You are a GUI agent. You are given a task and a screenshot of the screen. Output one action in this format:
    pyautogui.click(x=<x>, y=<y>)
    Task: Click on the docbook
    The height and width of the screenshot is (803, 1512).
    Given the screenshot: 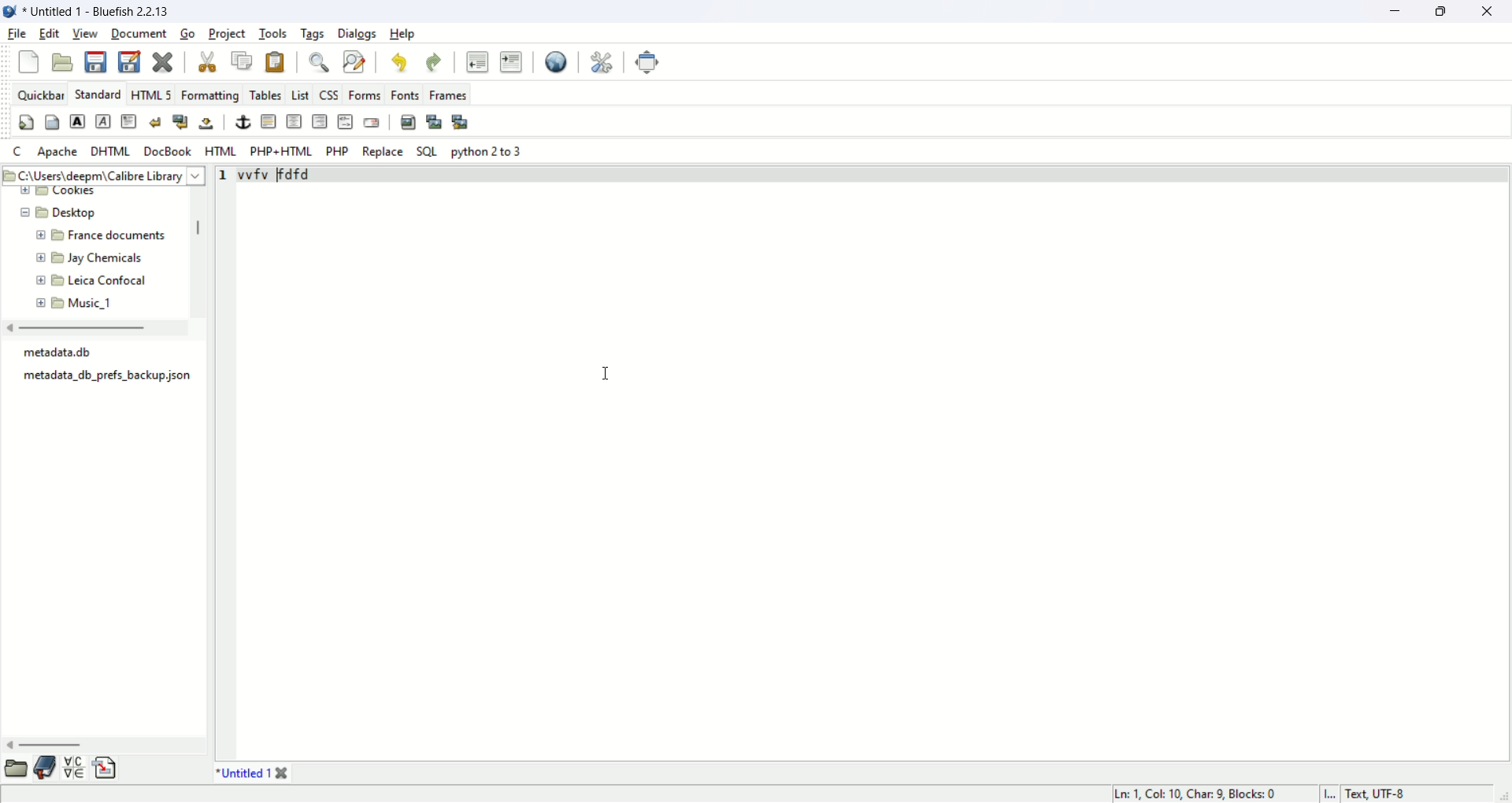 What is the action you would take?
    pyautogui.click(x=166, y=152)
    